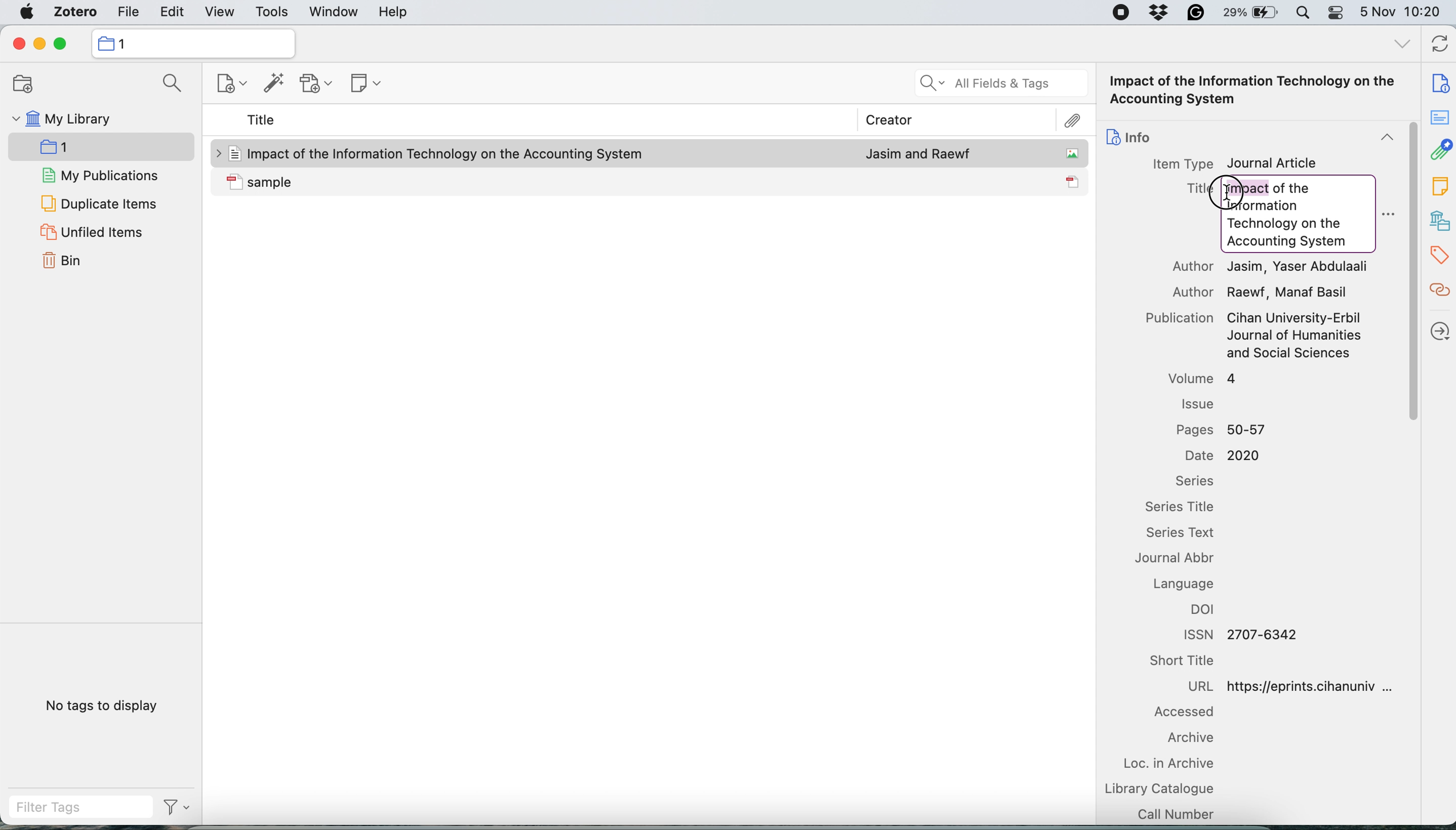  What do you see at coordinates (1439, 292) in the screenshot?
I see `related` at bounding box center [1439, 292].